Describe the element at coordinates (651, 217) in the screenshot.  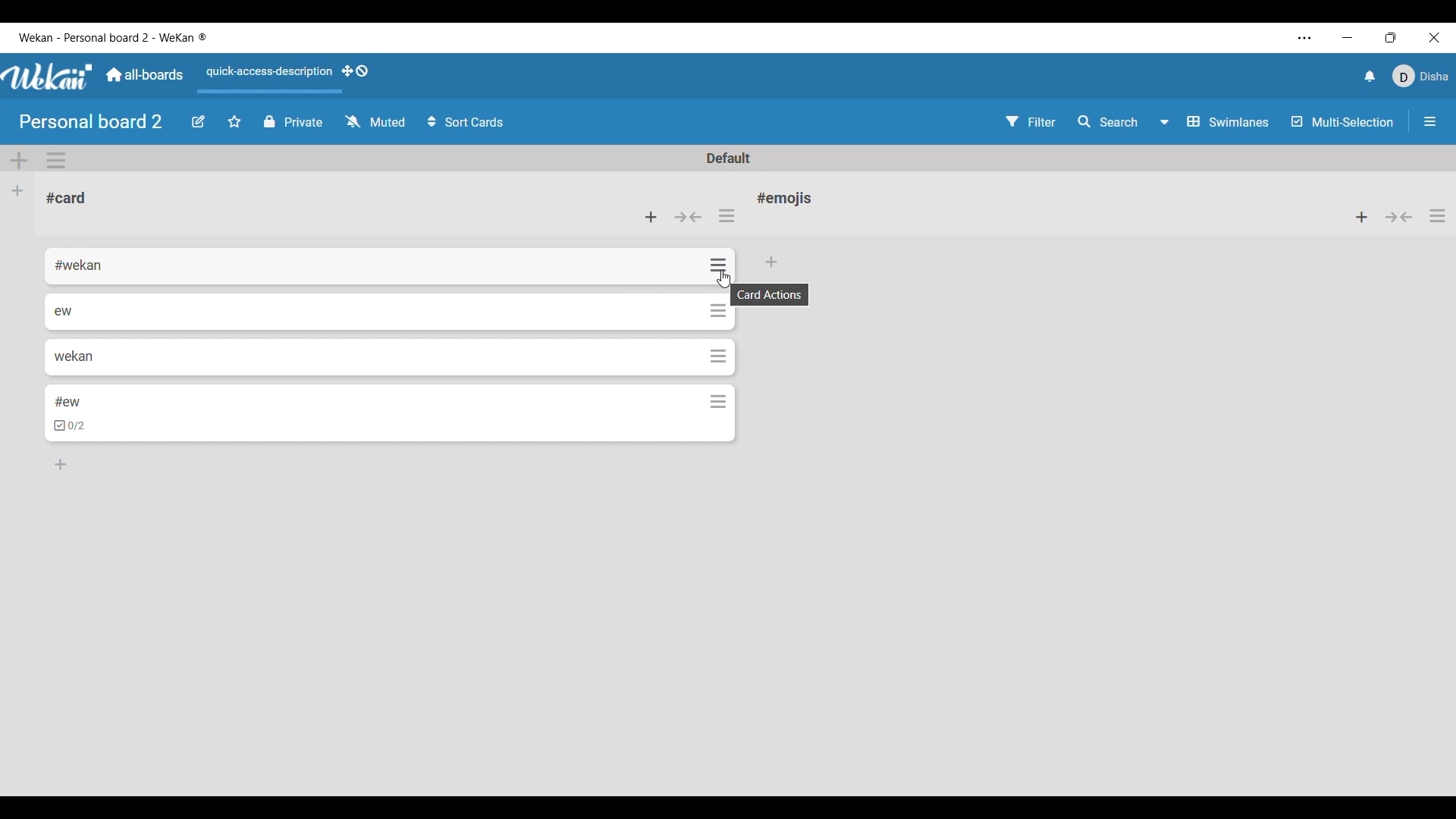
I see `Add card to top of list` at that location.